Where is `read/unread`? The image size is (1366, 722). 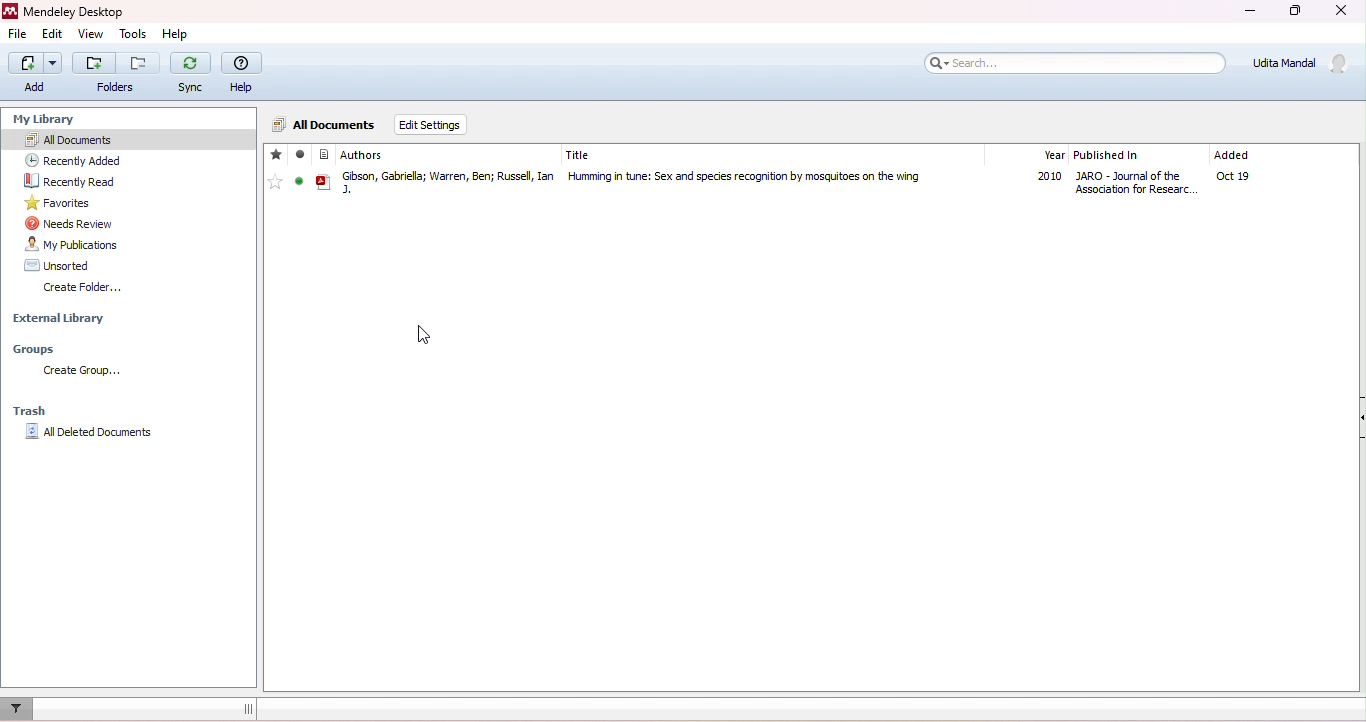 read/unread is located at coordinates (301, 156).